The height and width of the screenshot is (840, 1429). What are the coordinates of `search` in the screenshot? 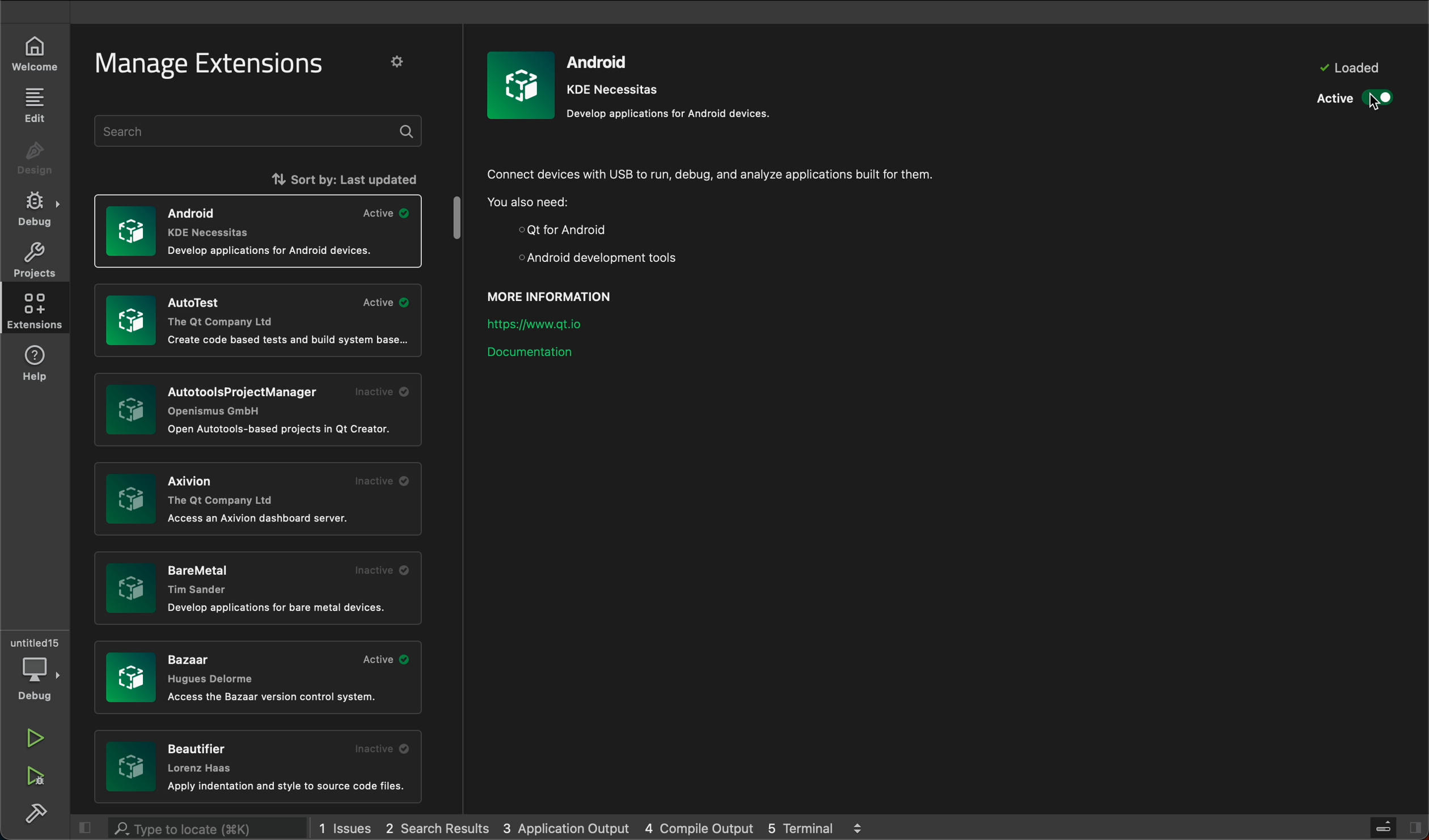 It's located at (192, 828).